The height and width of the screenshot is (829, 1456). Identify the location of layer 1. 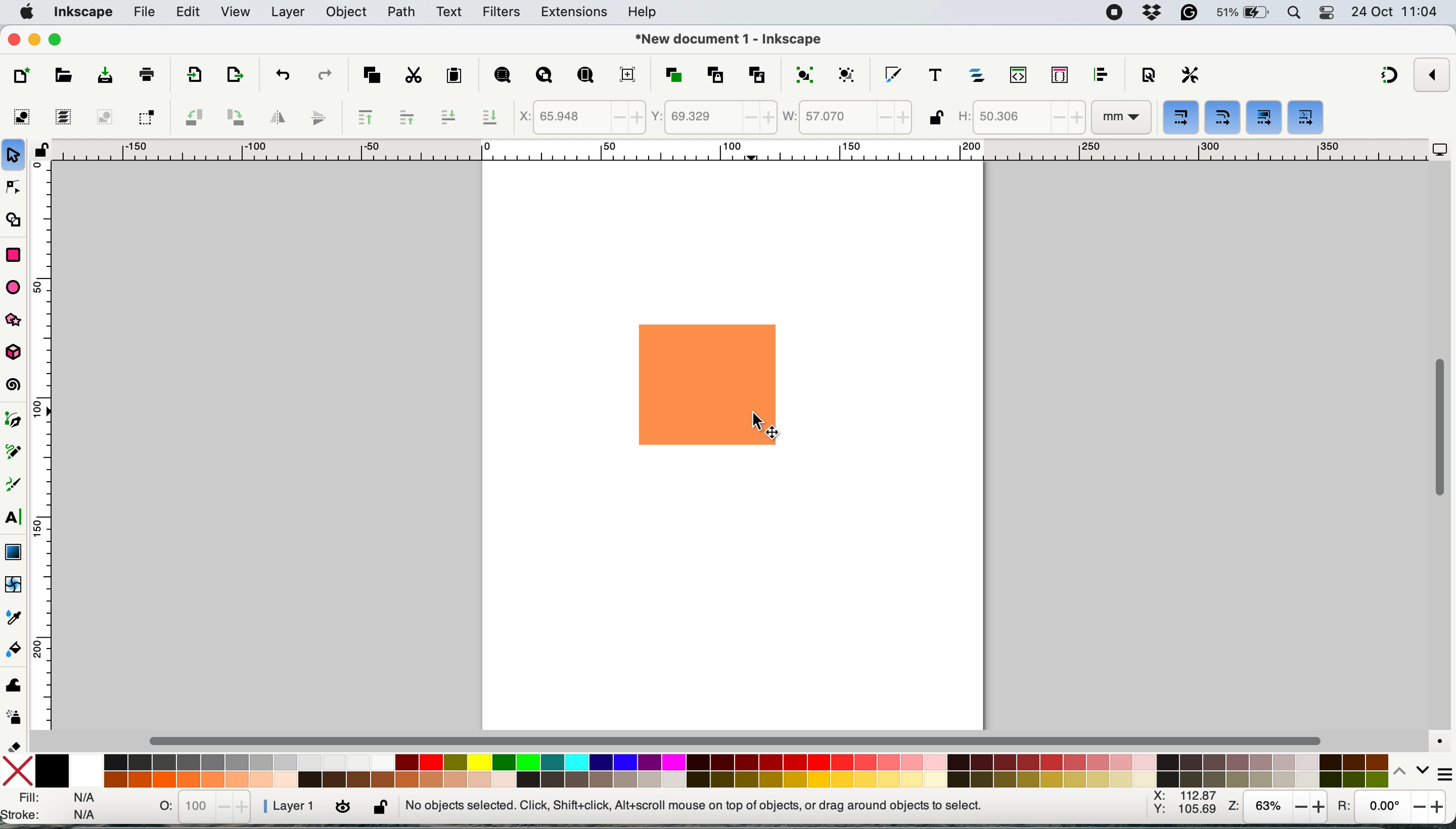
(290, 806).